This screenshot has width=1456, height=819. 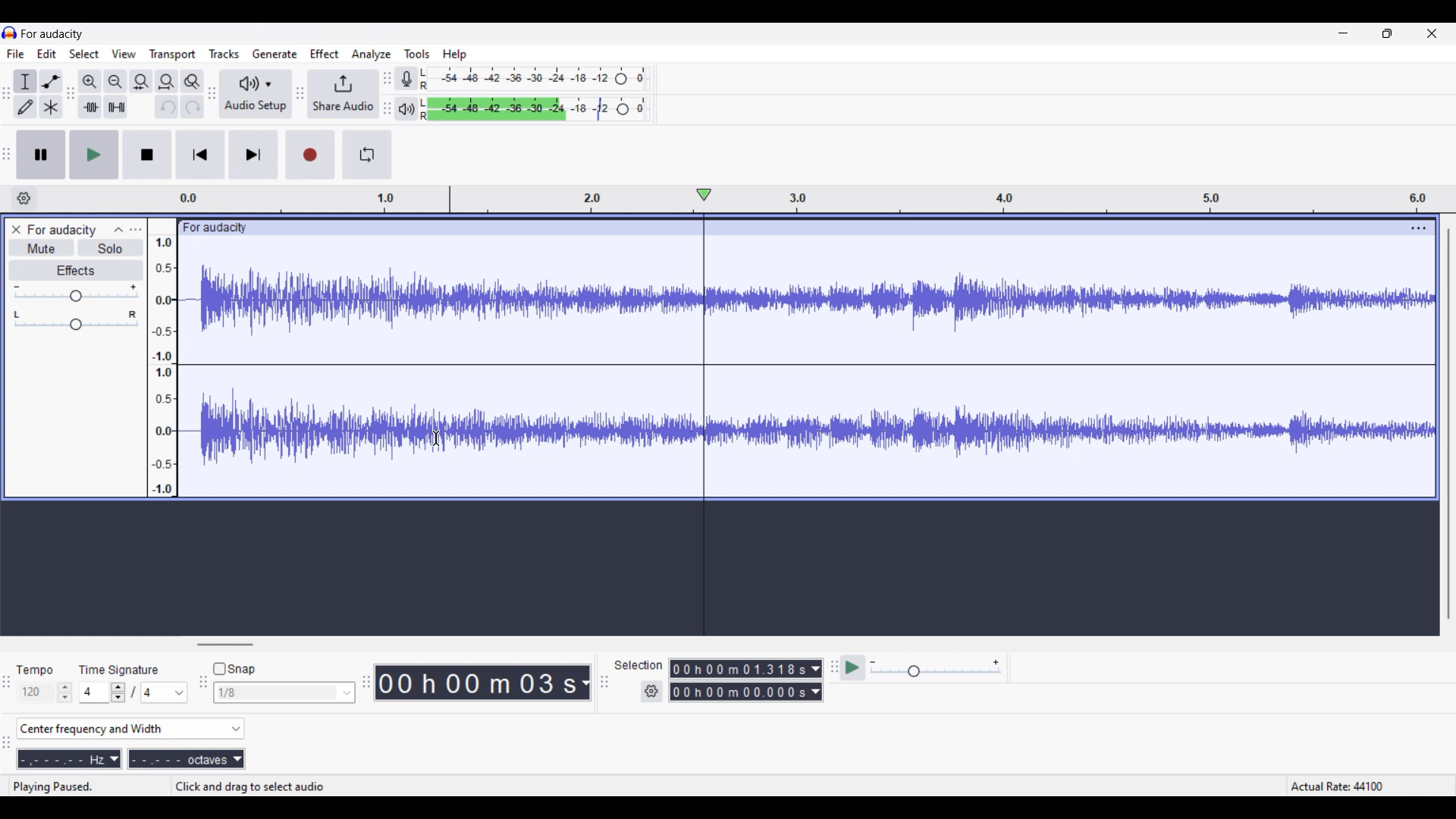 What do you see at coordinates (10, 33) in the screenshot?
I see `Software logo` at bounding box center [10, 33].